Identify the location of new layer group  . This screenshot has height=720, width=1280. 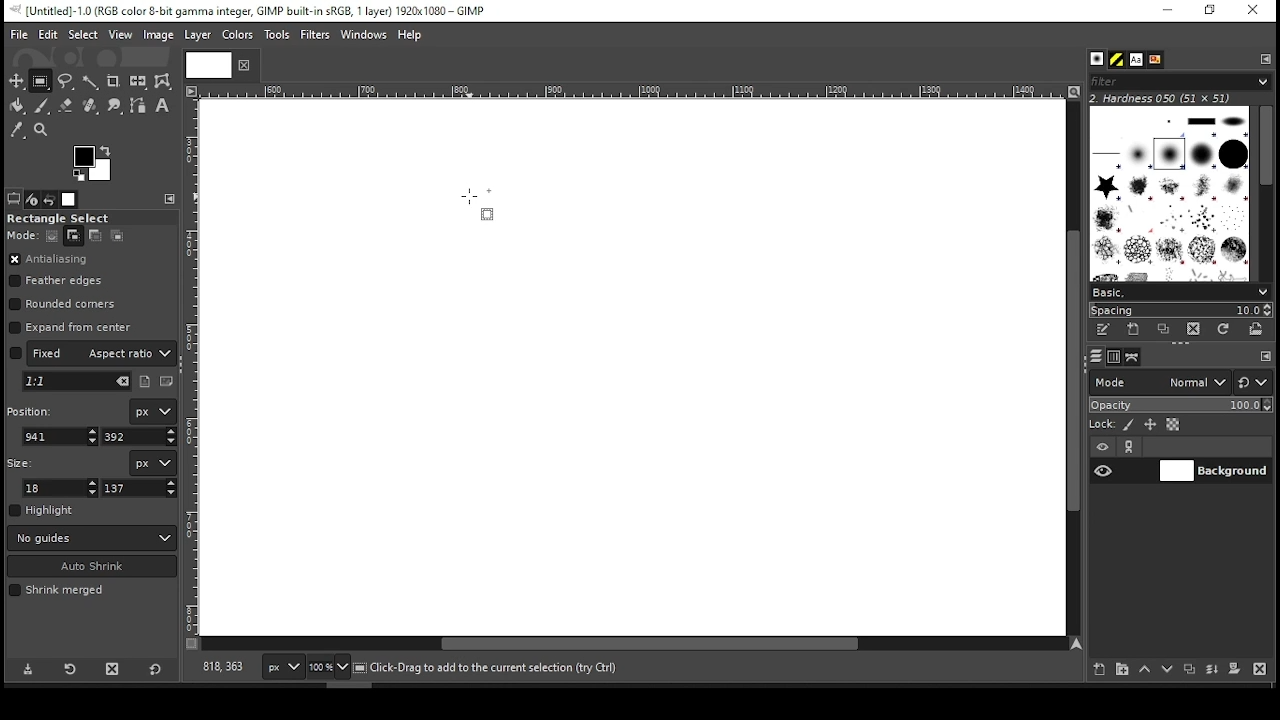
(1121, 669).